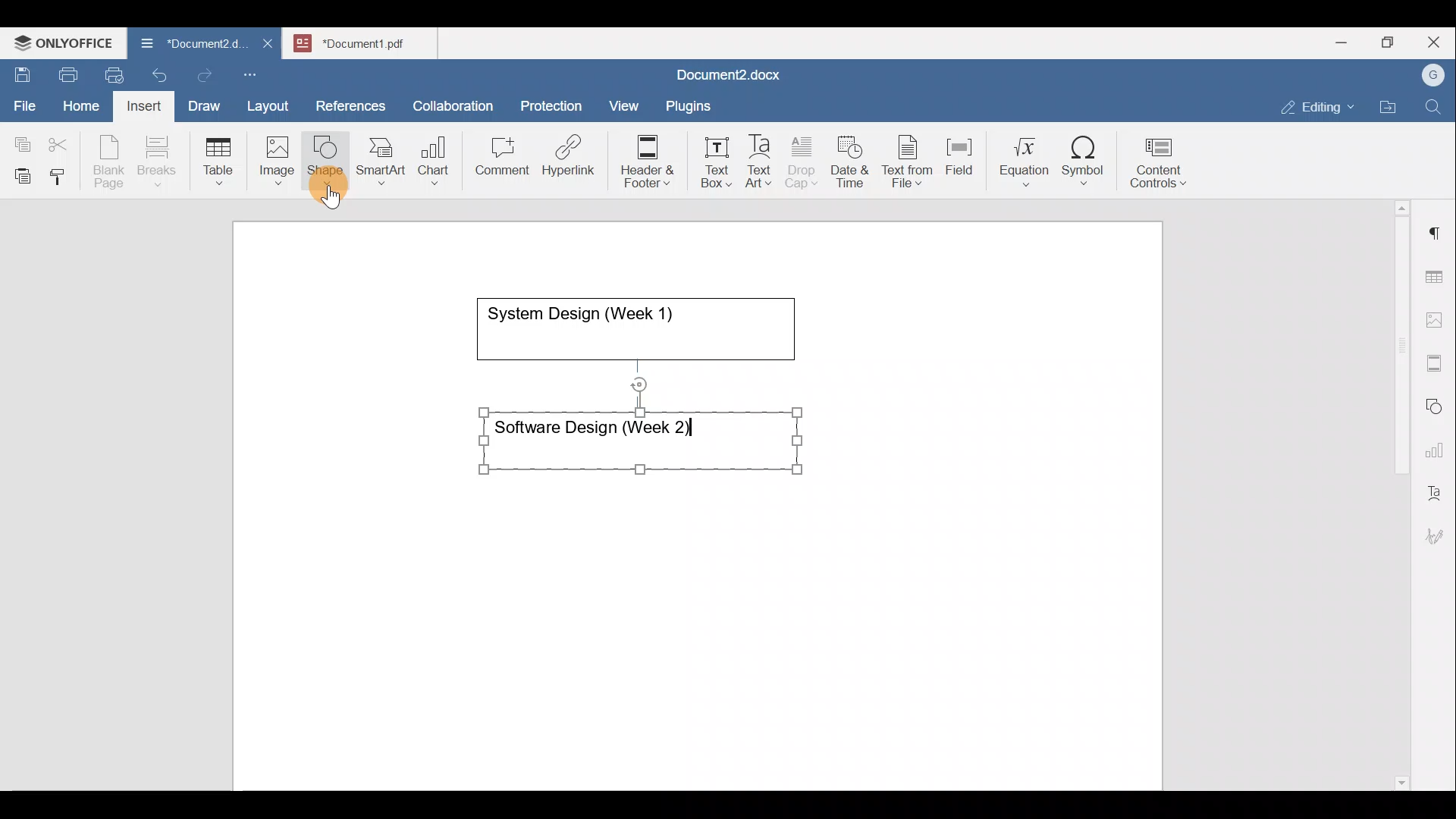 The width and height of the screenshot is (1456, 819). Describe the element at coordinates (65, 72) in the screenshot. I see `Print file` at that location.